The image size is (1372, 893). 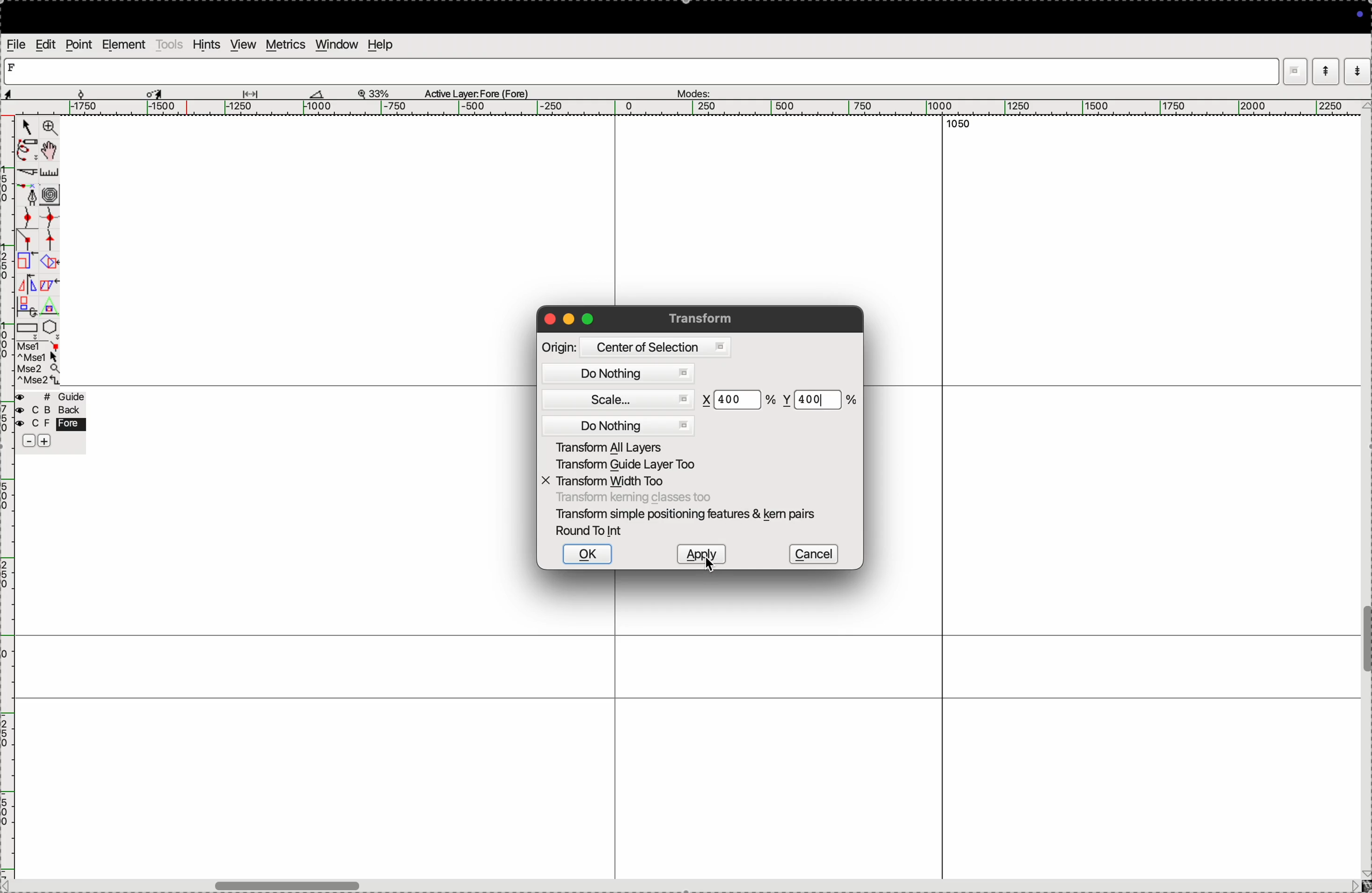 What do you see at coordinates (654, 347) in the screenshot?
I see `centre of selsection` at bounding box center [654, 347].